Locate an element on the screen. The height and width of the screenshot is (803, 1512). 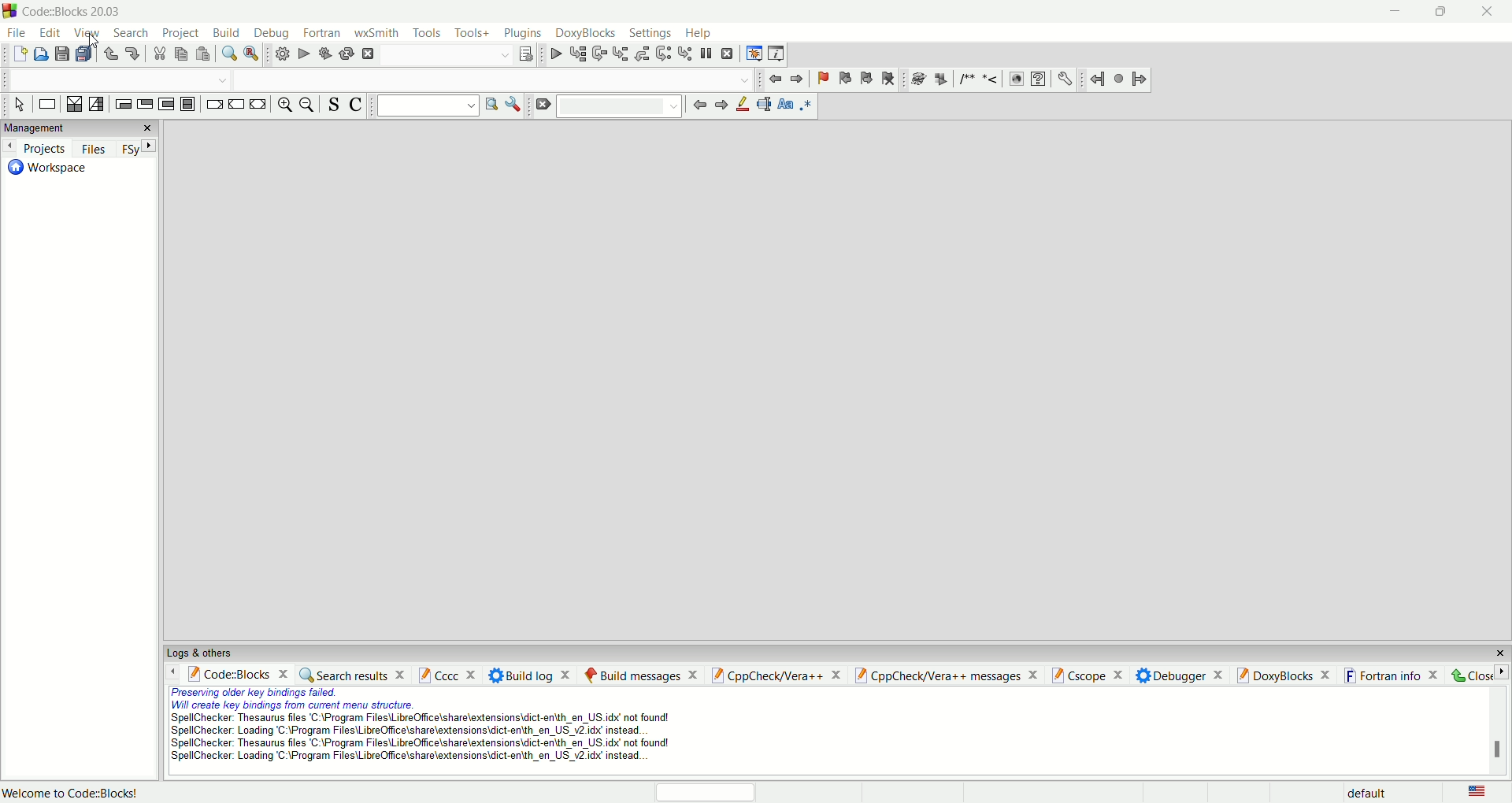
Cccc is located at coordinates (448, 675).